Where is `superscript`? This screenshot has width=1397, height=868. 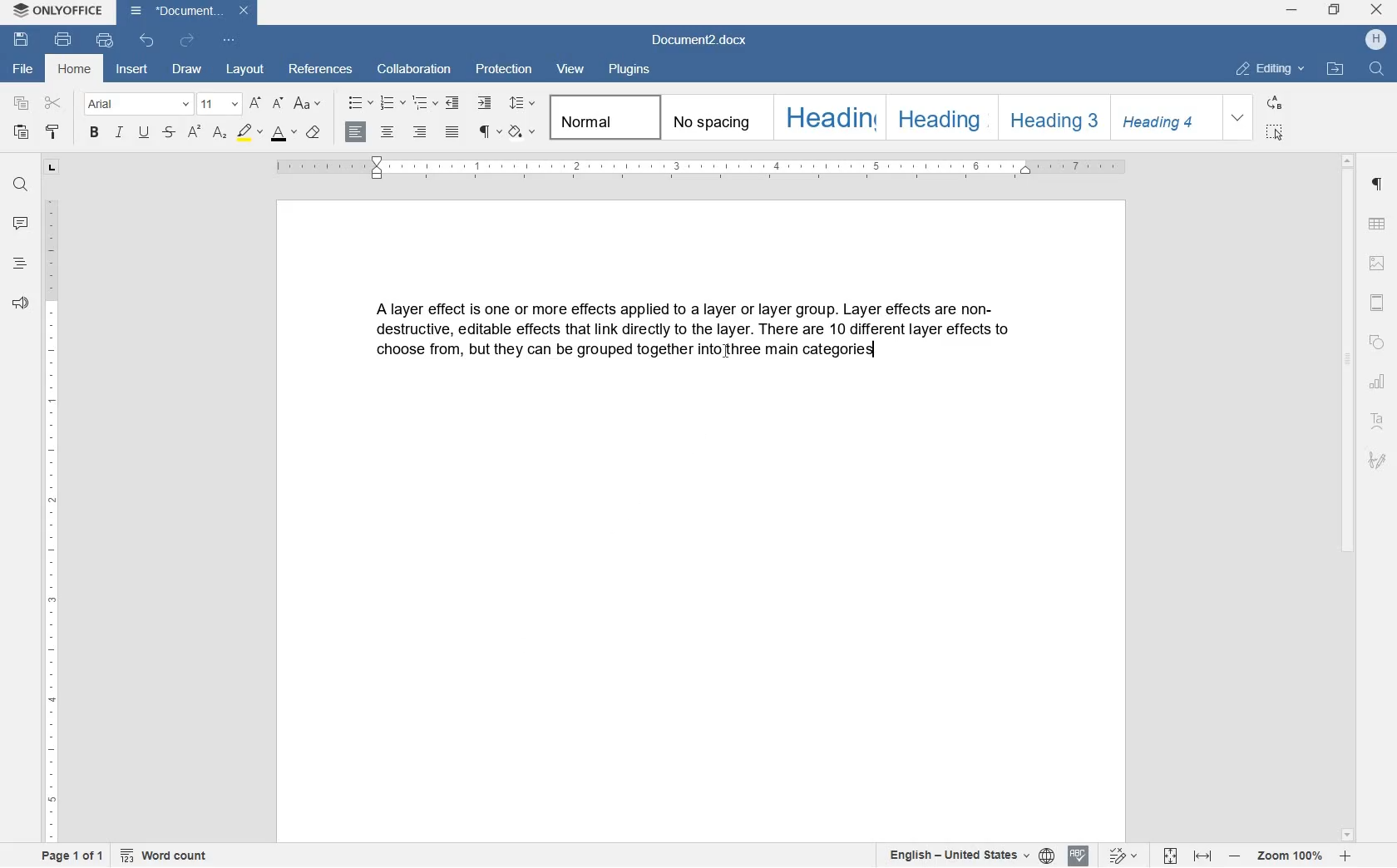
superscript is located at coordinates (195, 134).